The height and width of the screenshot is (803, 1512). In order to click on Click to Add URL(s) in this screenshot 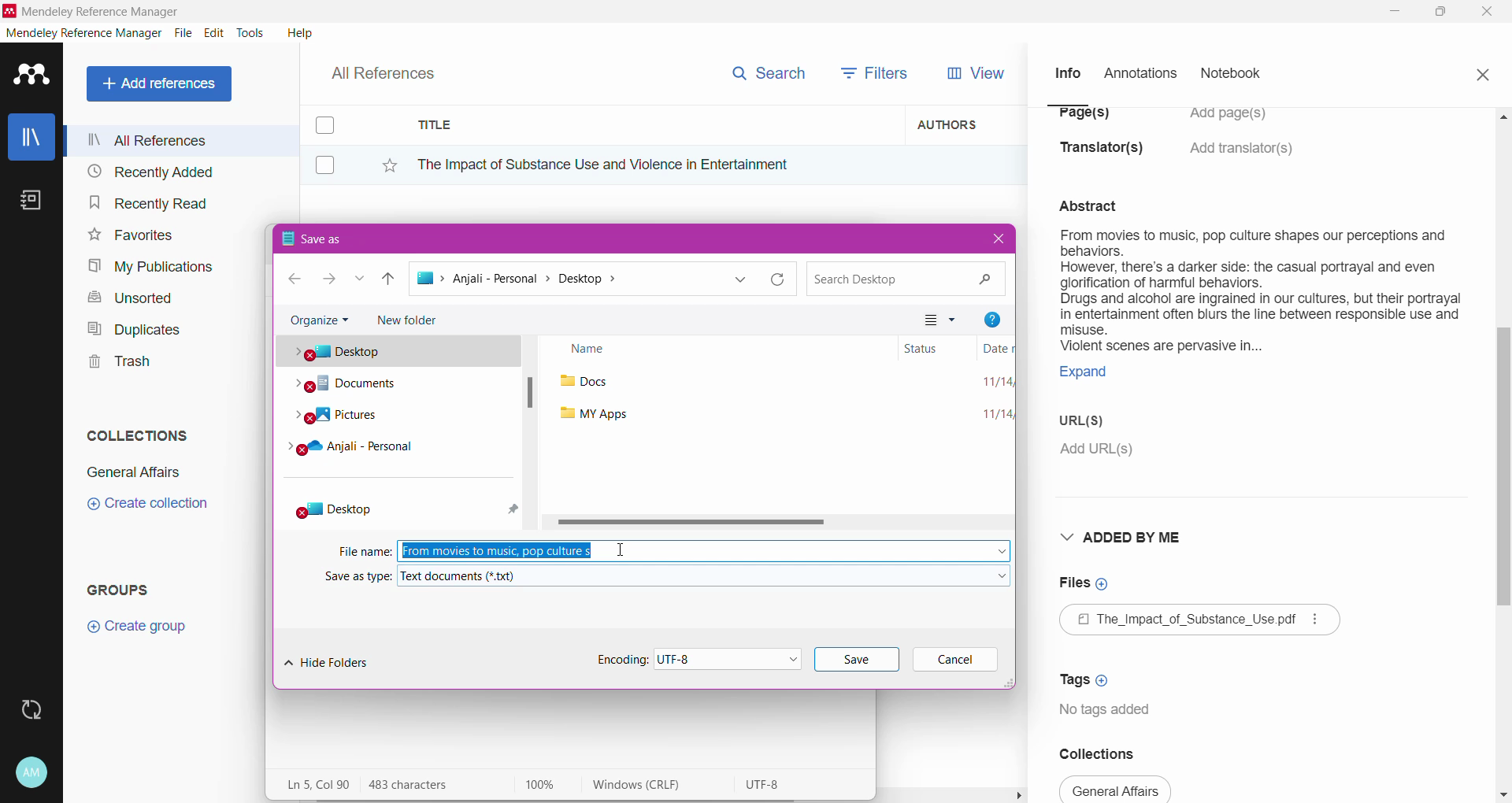, I will do `click(1099, 451)`.